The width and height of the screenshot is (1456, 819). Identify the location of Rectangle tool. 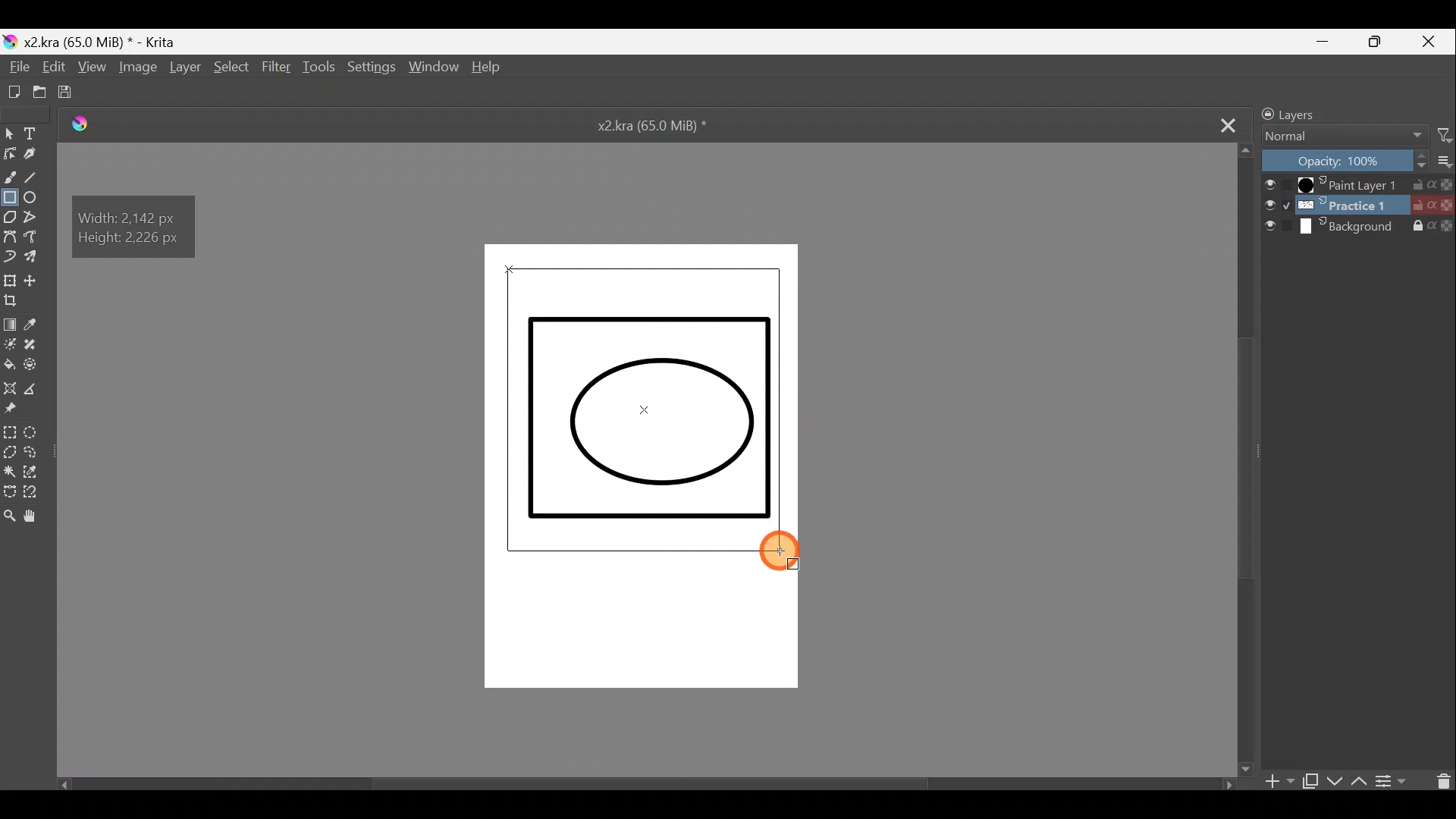
(10, 200).